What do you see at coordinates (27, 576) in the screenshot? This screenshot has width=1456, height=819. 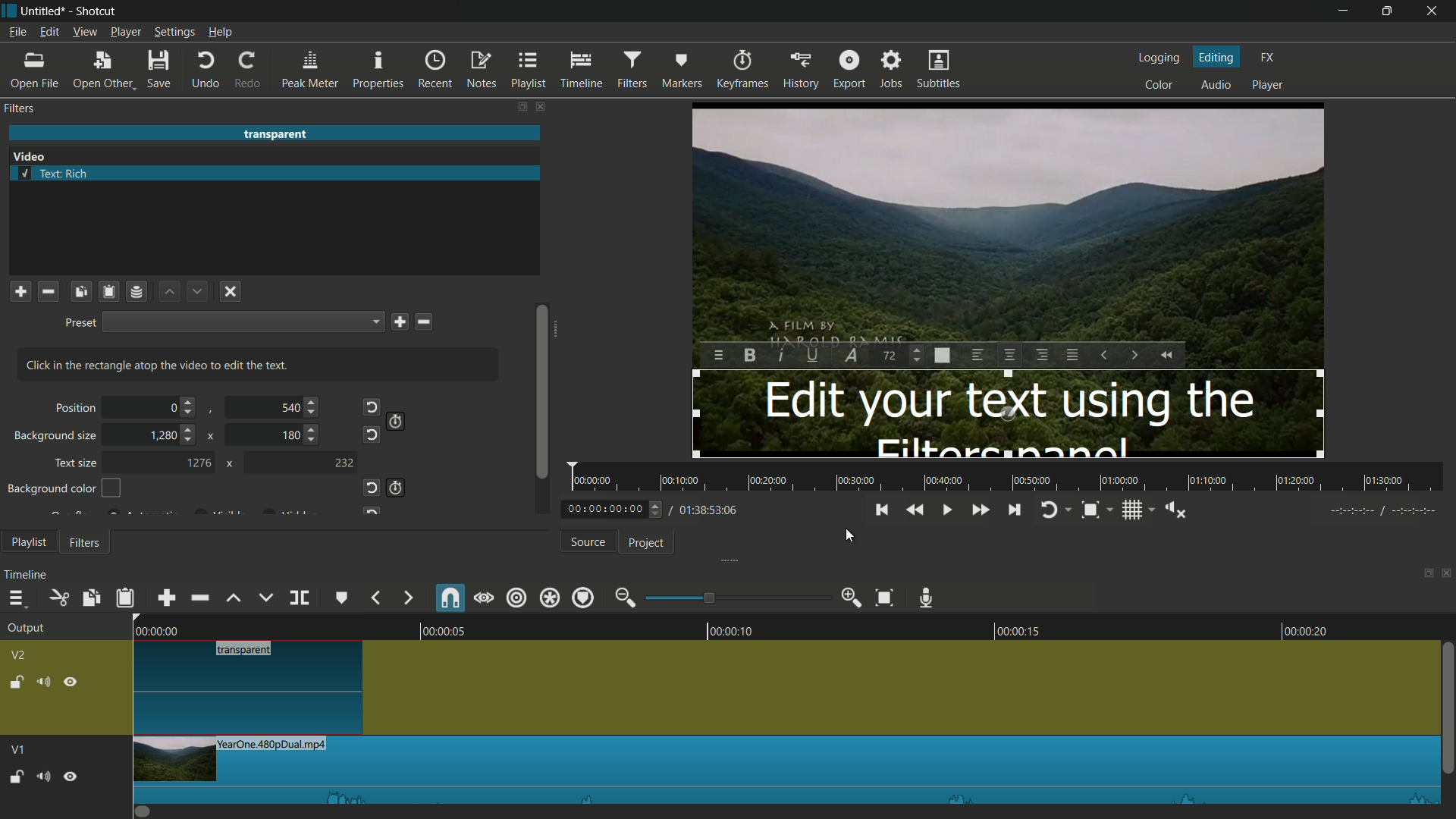 I see `timeline` at bounding box center [27, 576].